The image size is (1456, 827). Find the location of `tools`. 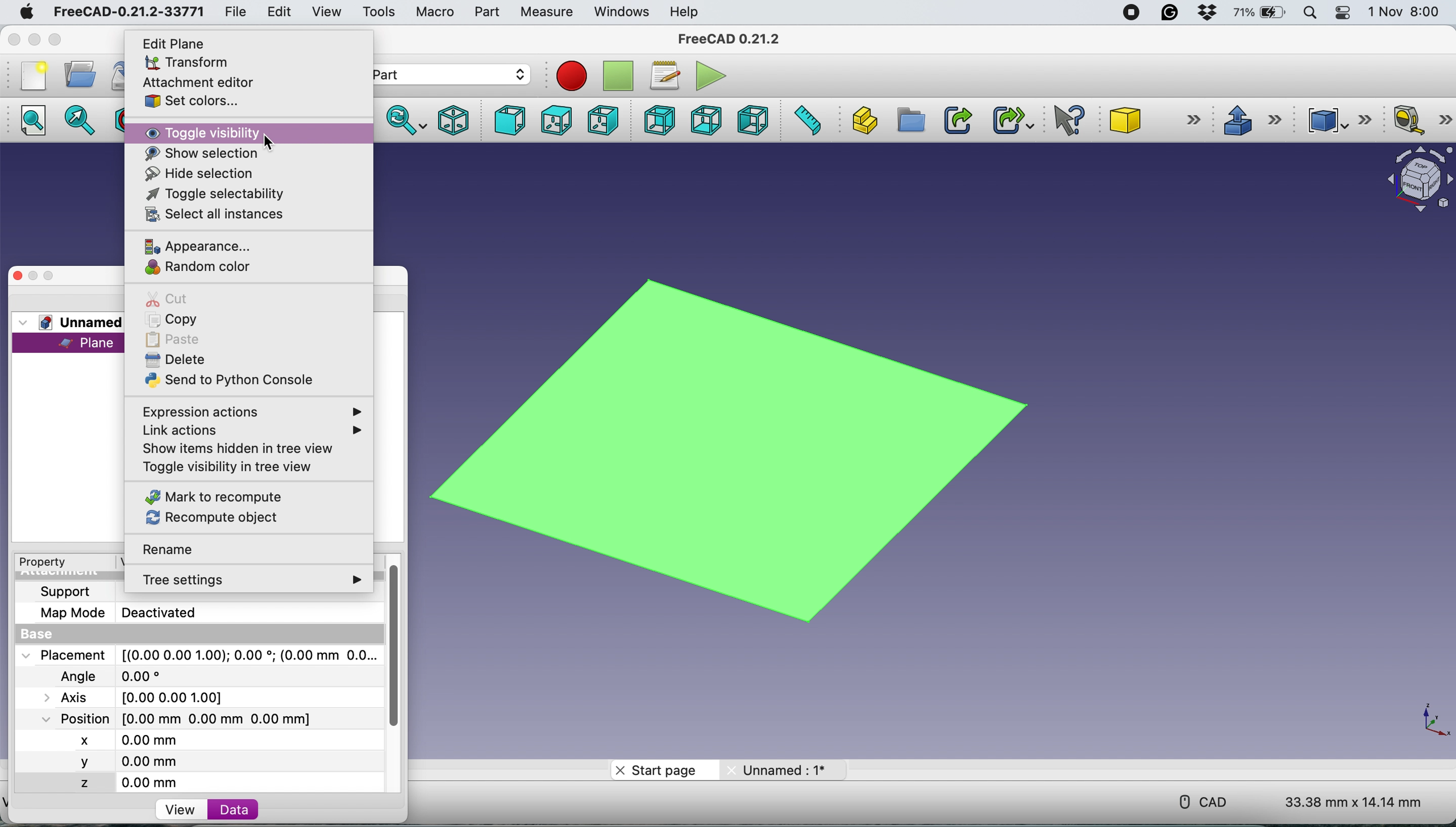

tools is located at coordinates (377, 12).